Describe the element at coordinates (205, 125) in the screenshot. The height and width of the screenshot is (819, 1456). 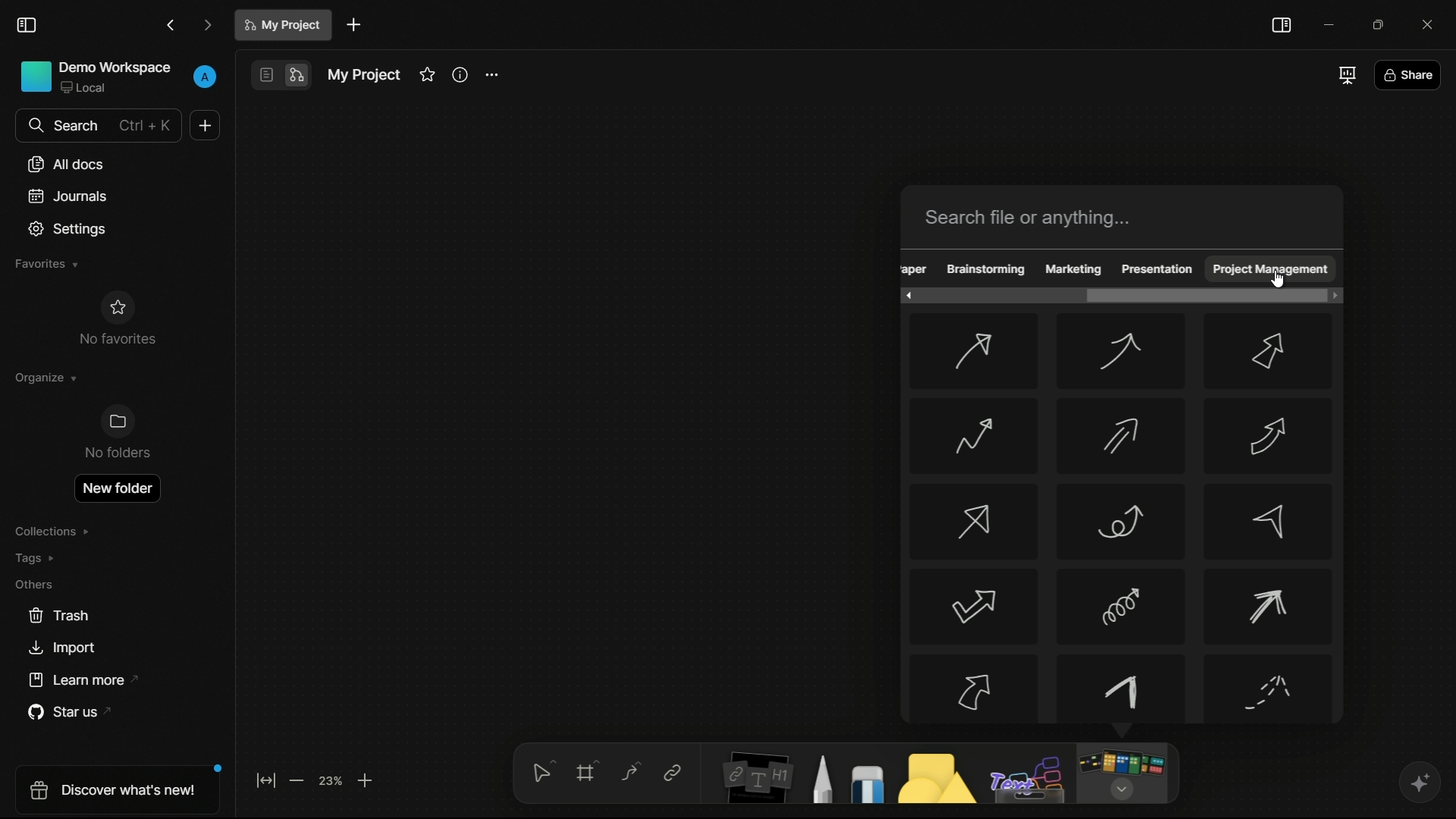
I see `new document` at that location.